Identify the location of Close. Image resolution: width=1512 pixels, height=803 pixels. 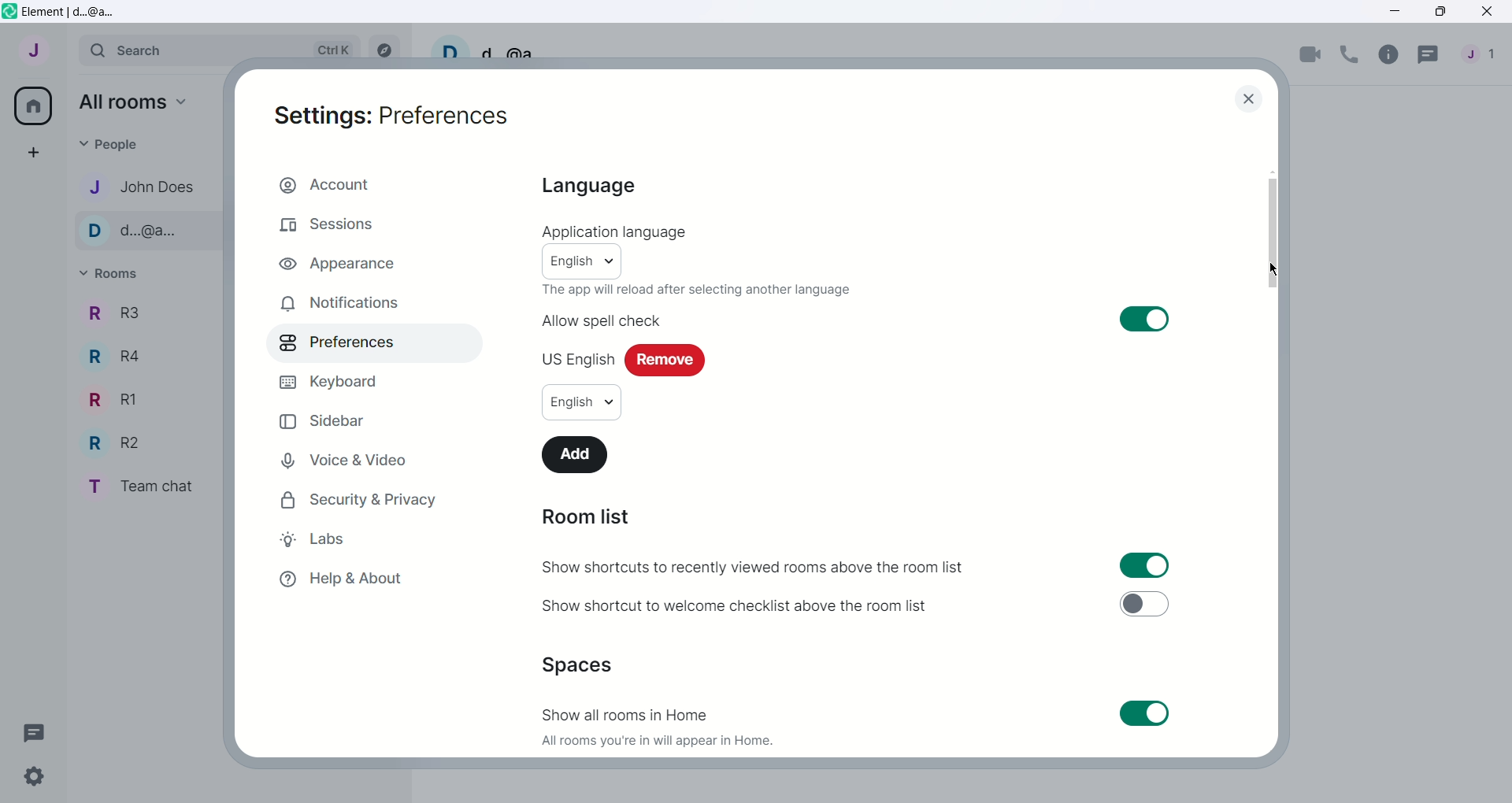
(1489, 11).